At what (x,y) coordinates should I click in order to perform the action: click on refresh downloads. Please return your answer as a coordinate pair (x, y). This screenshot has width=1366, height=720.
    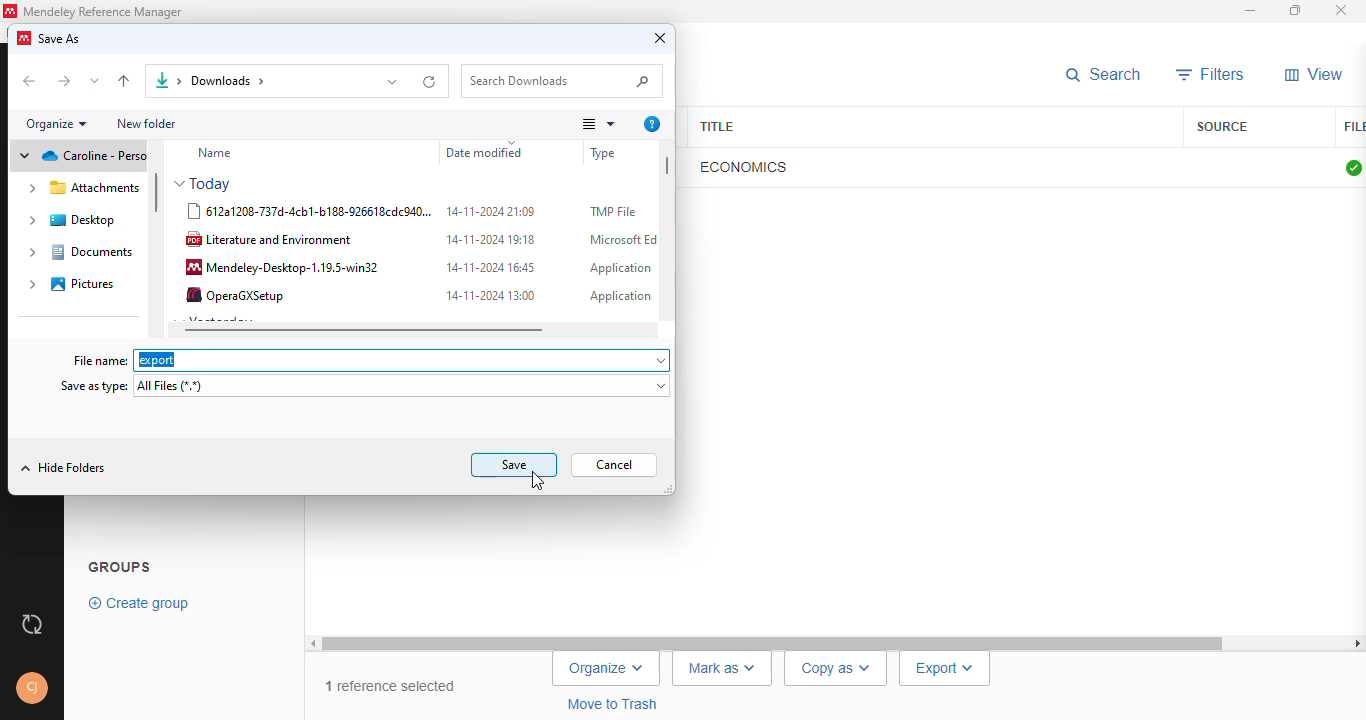
    Looking at the image, I should click on (429, 82).